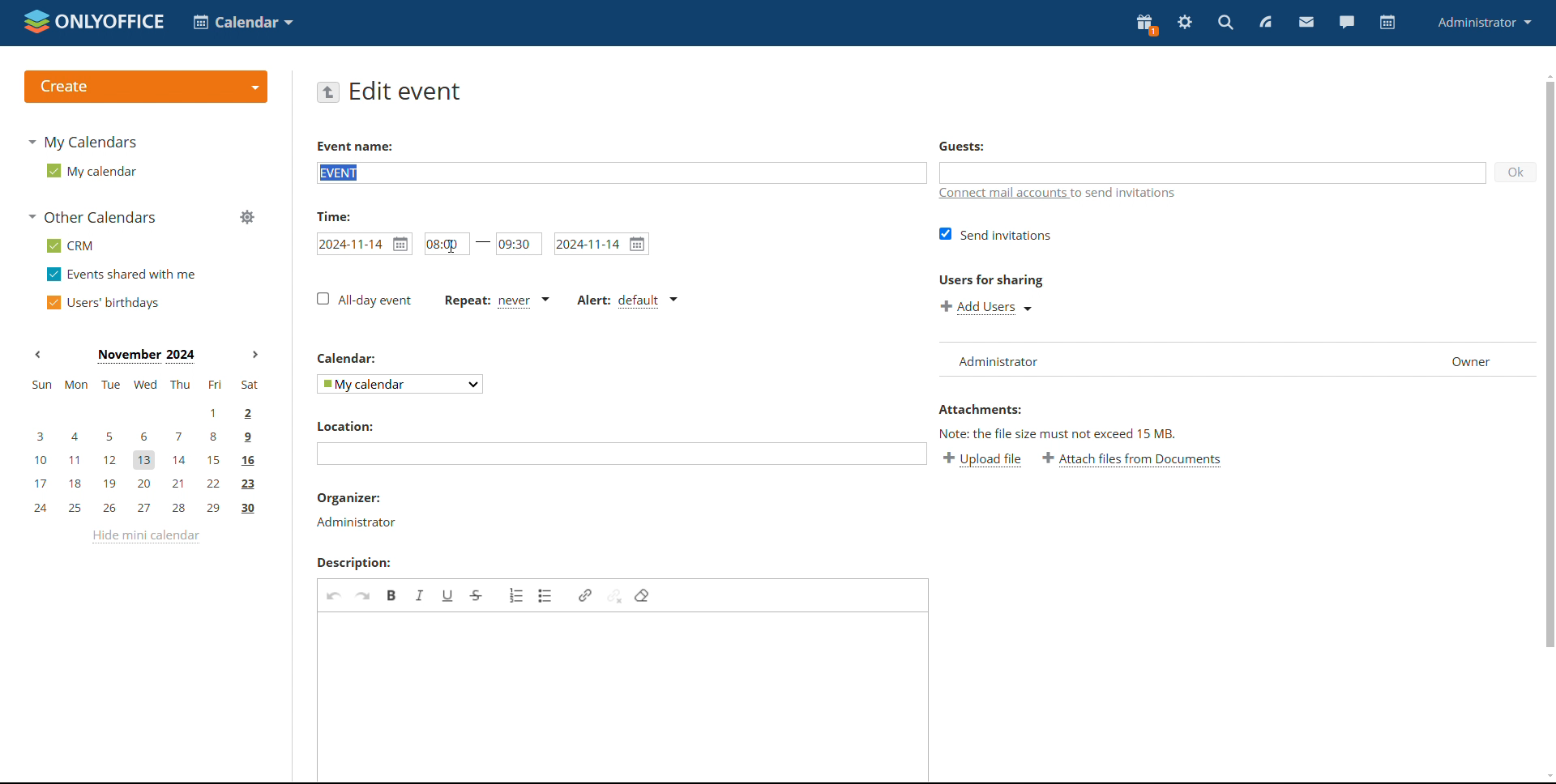 The height and width of the screenshot is (784, 1556). Describe the element at coordinates (144, 411) in the screenshot. I see `1, 2` at that location.